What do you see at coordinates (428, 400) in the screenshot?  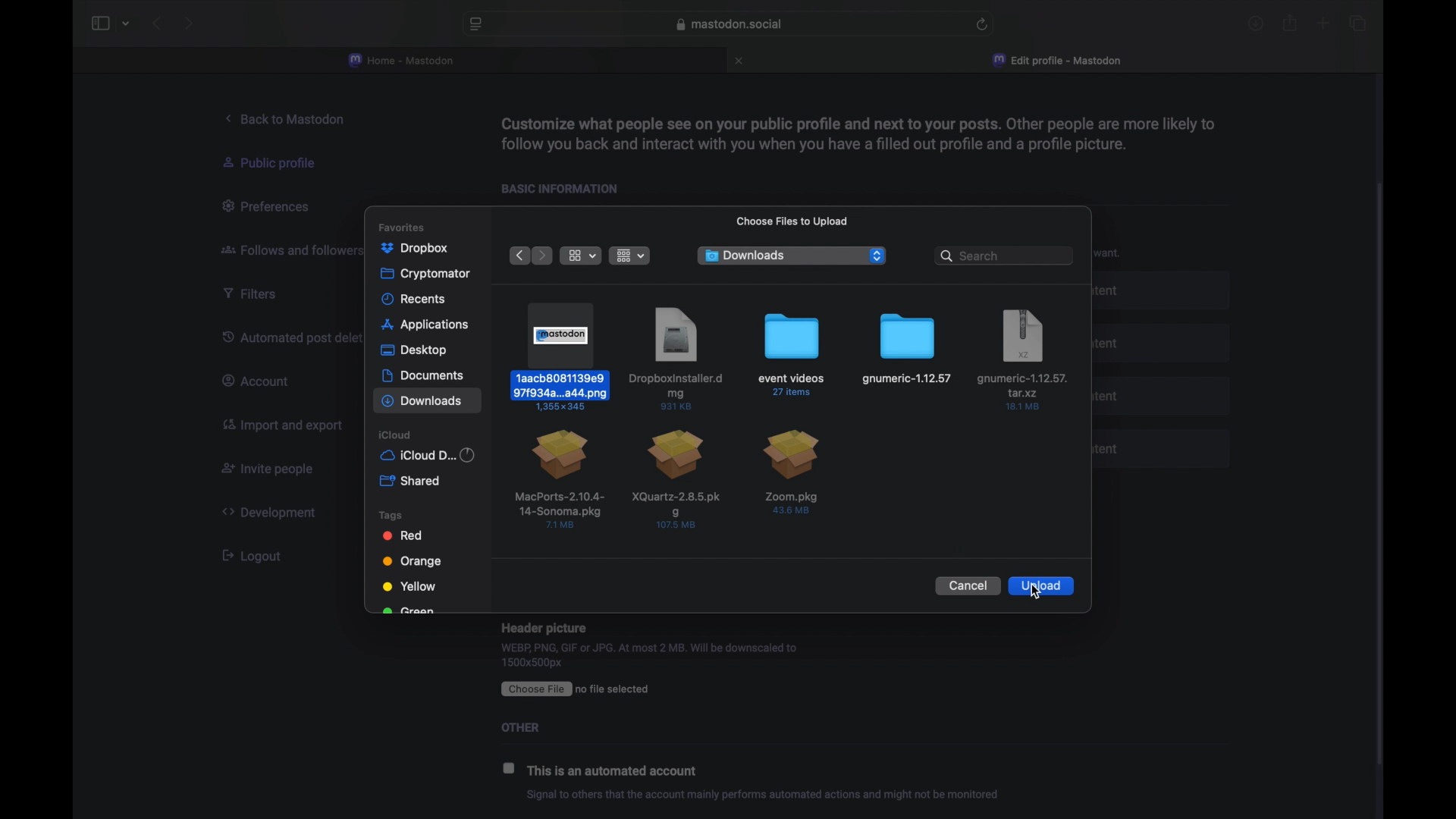 I see `downloads highlighted` at bounding box center [428, 400].